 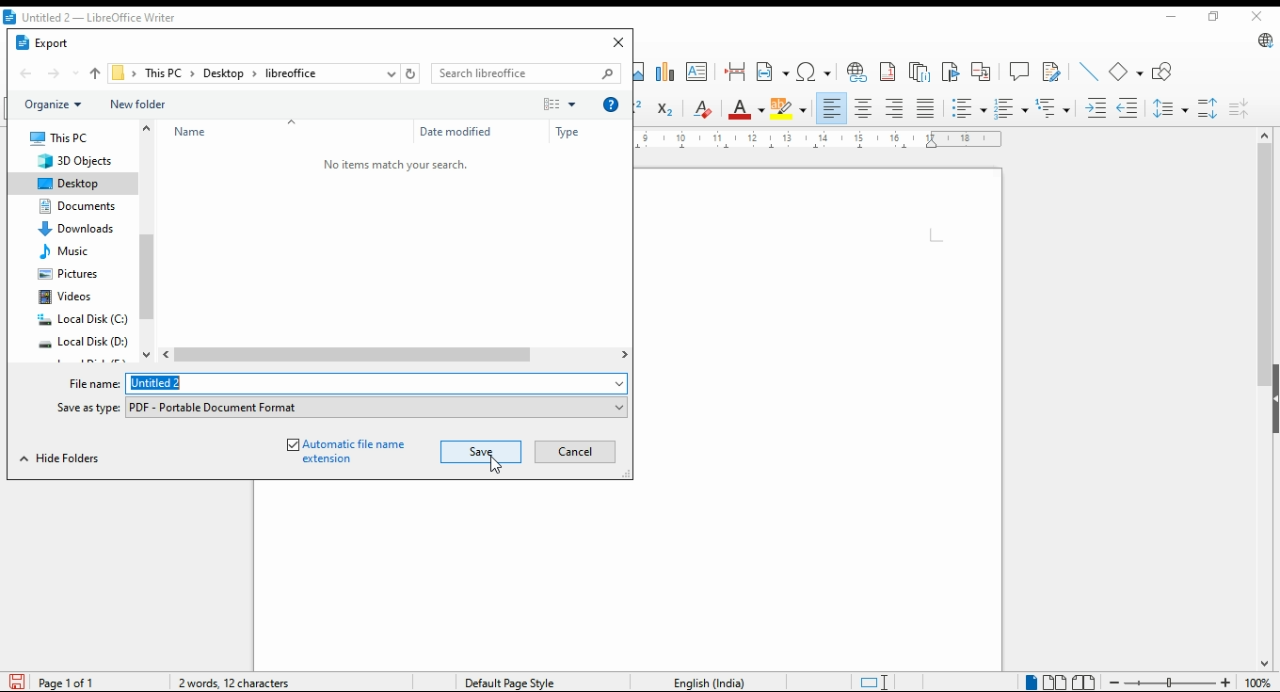 I want to click on checkbox: automatic filename extension, so click(x=342, y=448).